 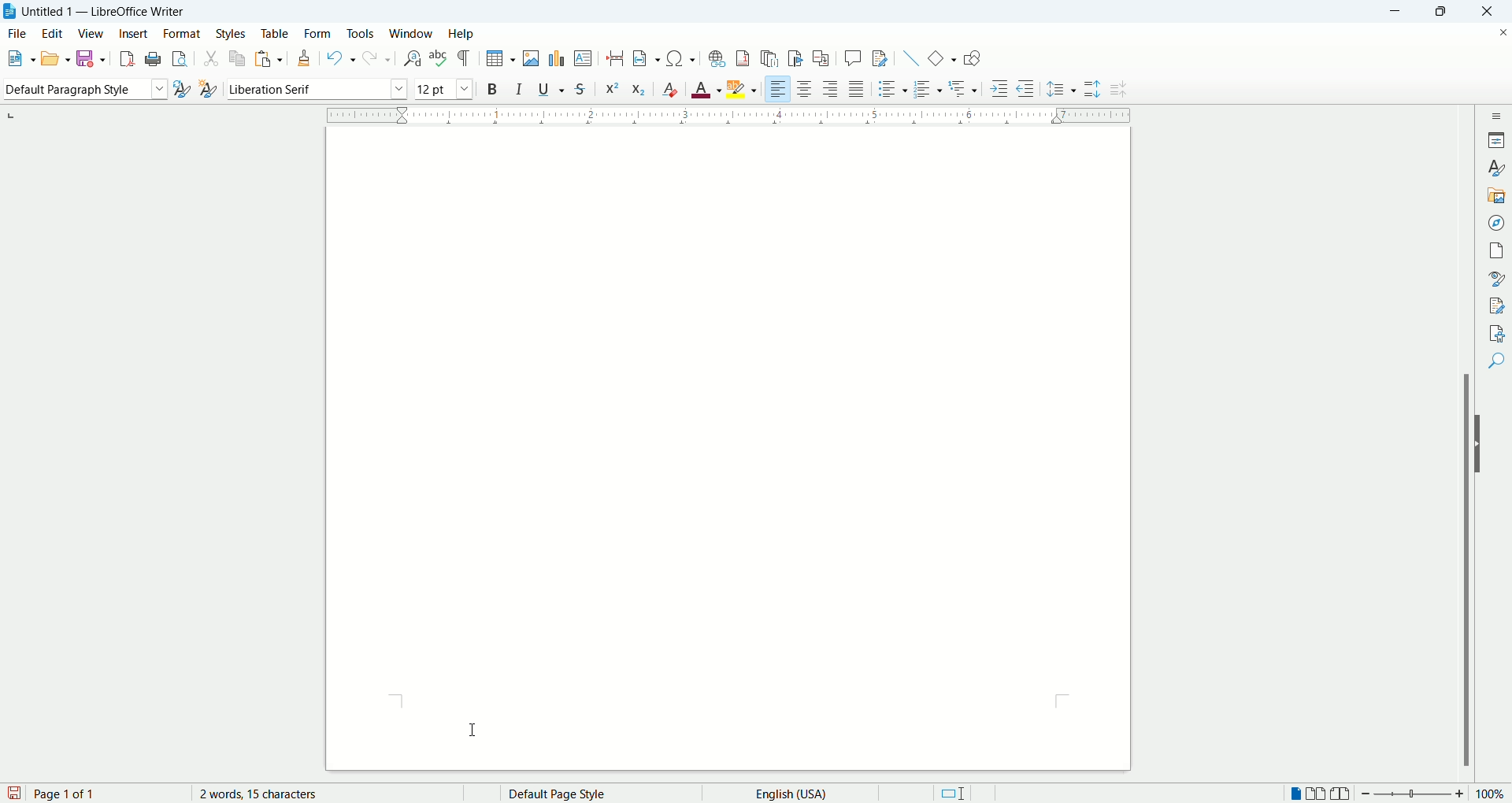 I want to click on font name, so click(x=317, y=89).